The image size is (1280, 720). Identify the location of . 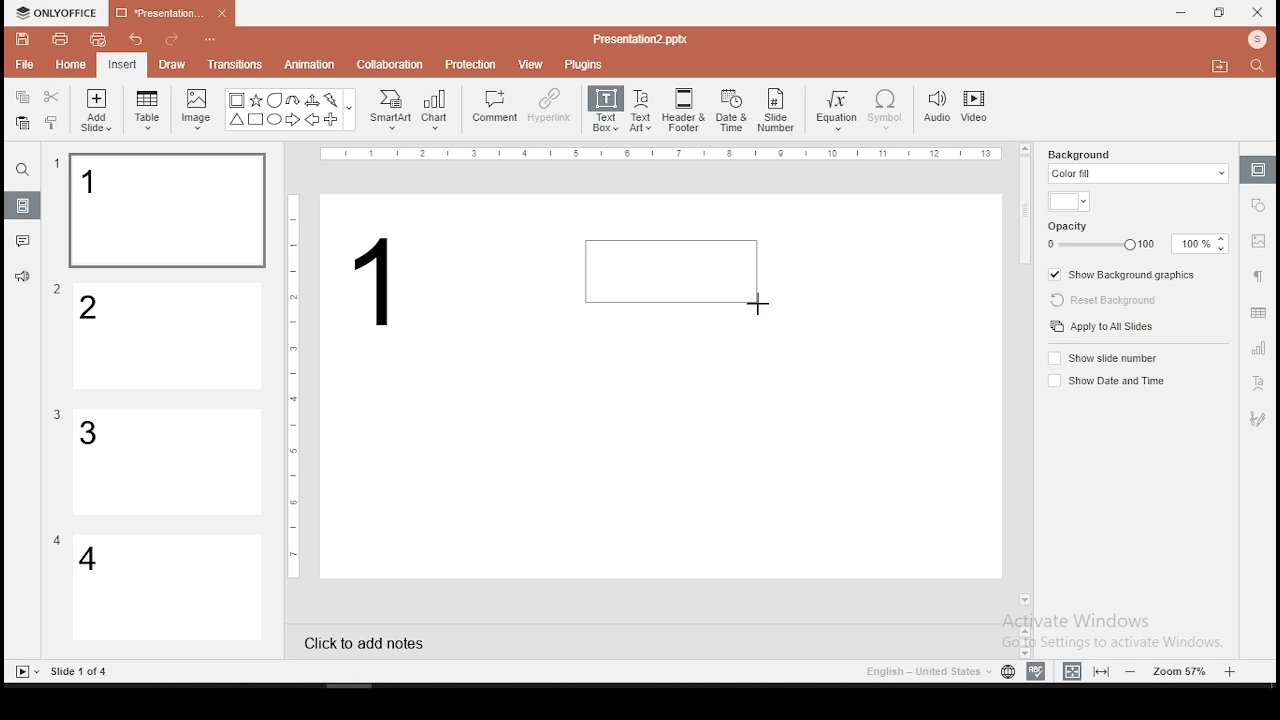
(58, 290).